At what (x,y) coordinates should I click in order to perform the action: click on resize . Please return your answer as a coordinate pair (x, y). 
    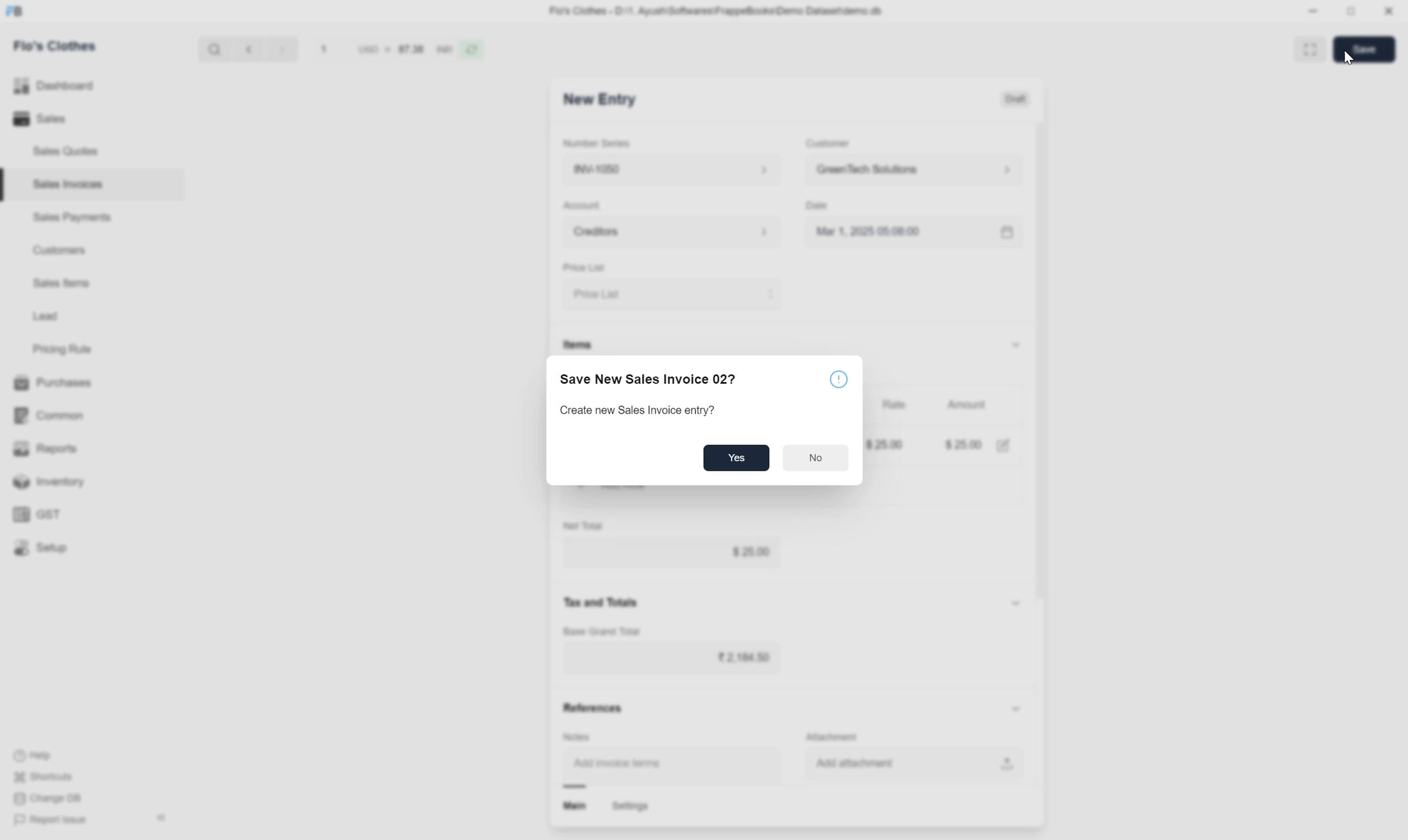
    Looking at the image, I should click on (1355, 14).